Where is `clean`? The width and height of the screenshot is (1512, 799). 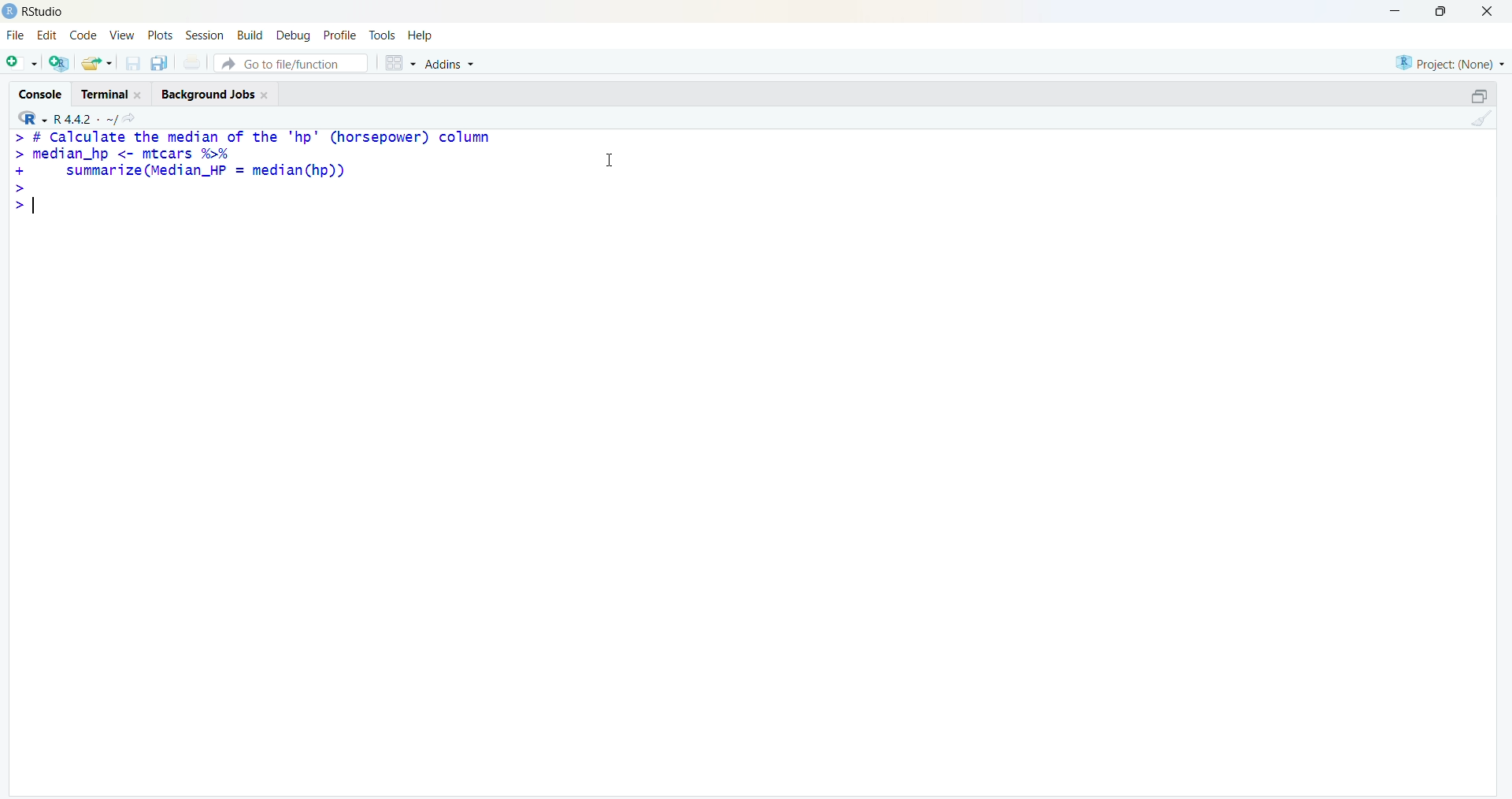 clean is located at coordinates (1481, 118).